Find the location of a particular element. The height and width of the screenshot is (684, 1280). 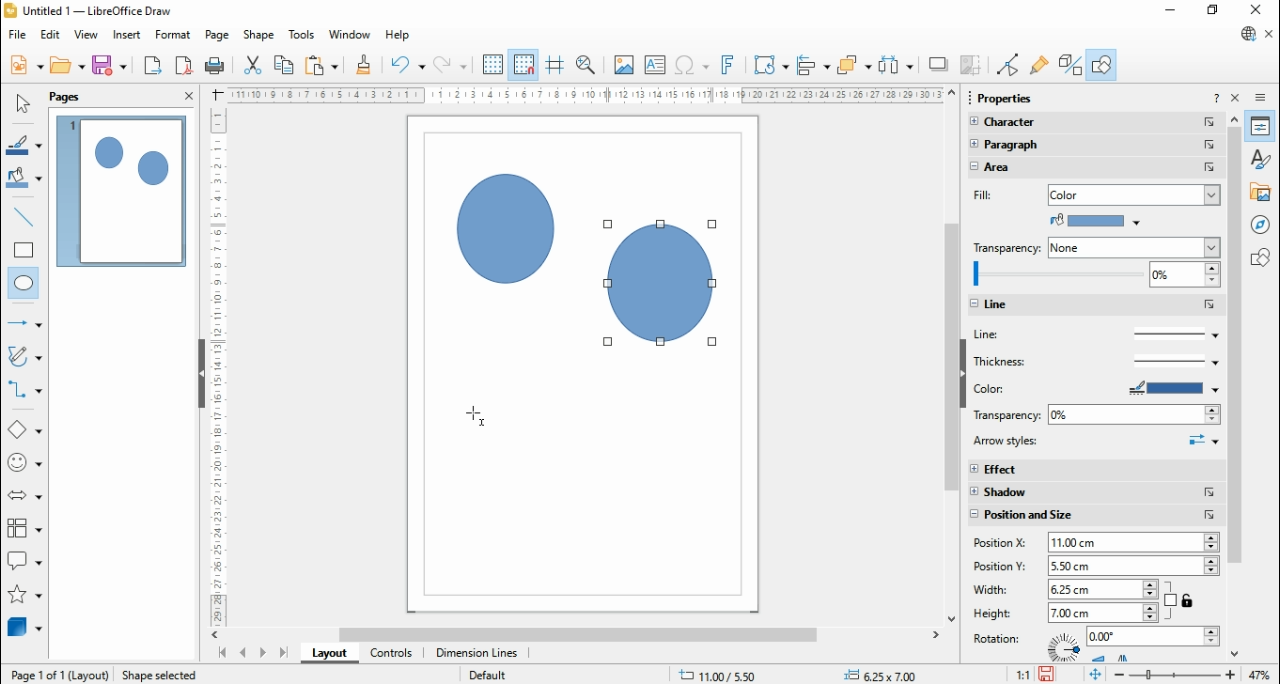

0.00 is located at coordinates (1153, 637).